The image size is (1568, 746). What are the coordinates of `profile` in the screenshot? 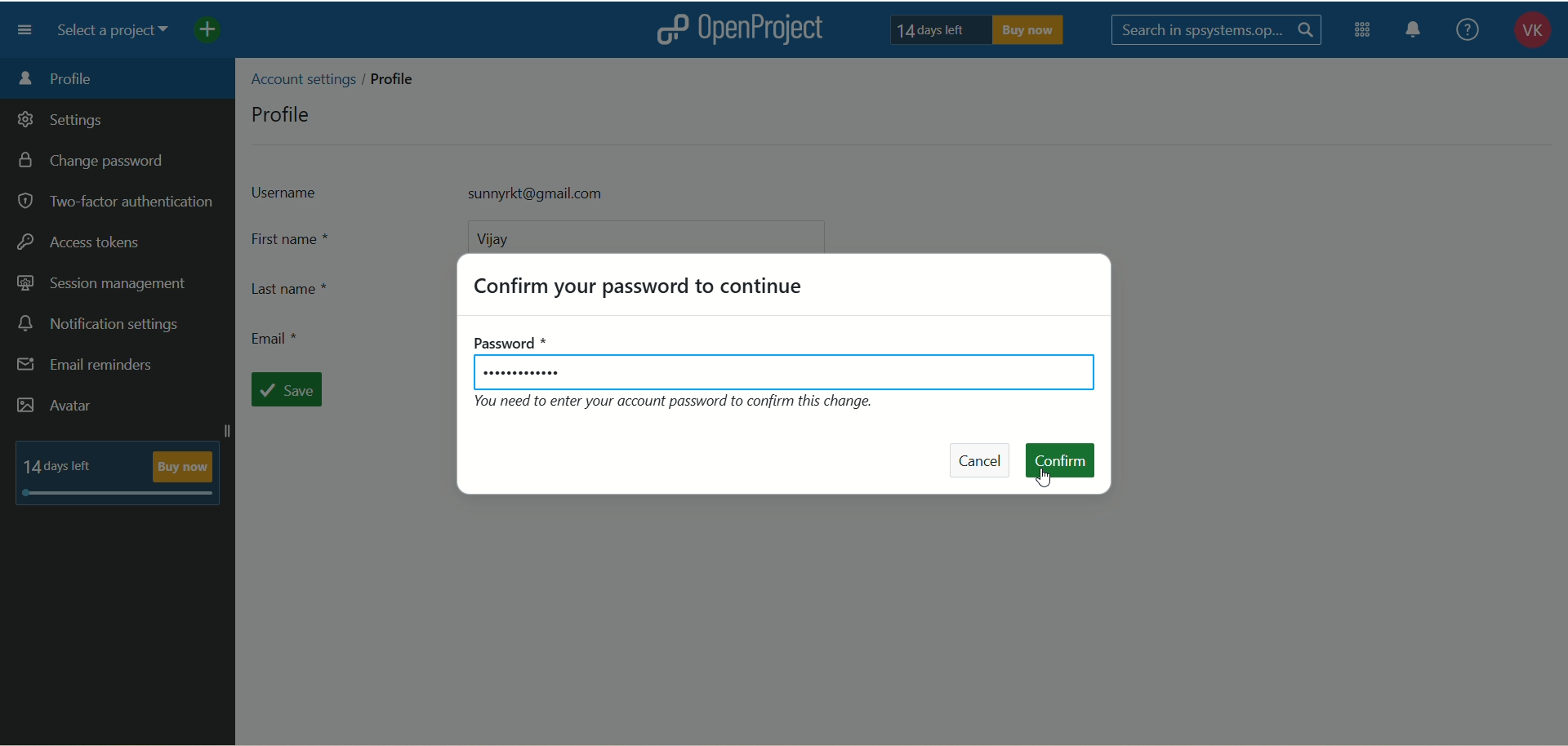 It's located at (283, 113).